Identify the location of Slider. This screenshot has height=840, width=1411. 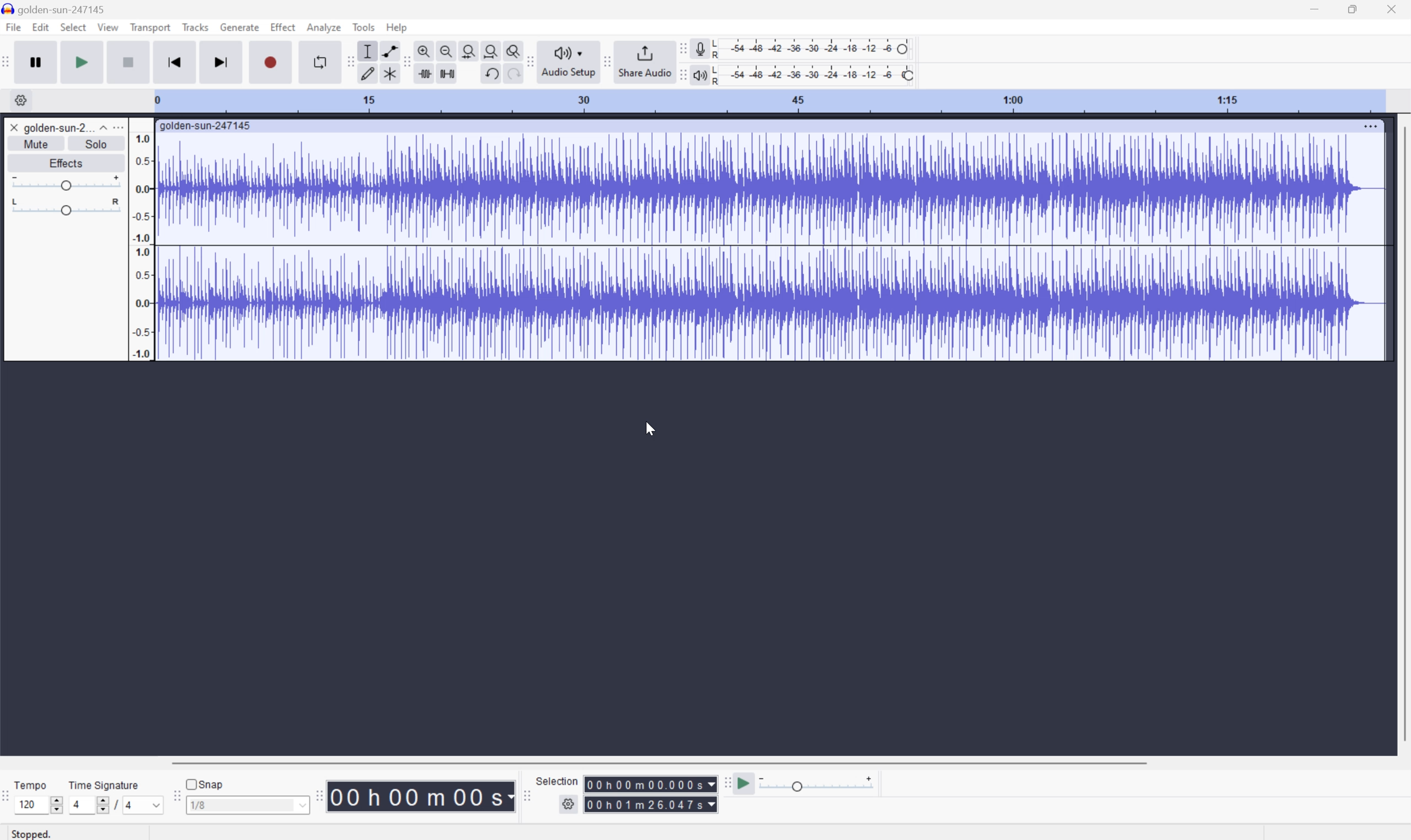
(66, 207).